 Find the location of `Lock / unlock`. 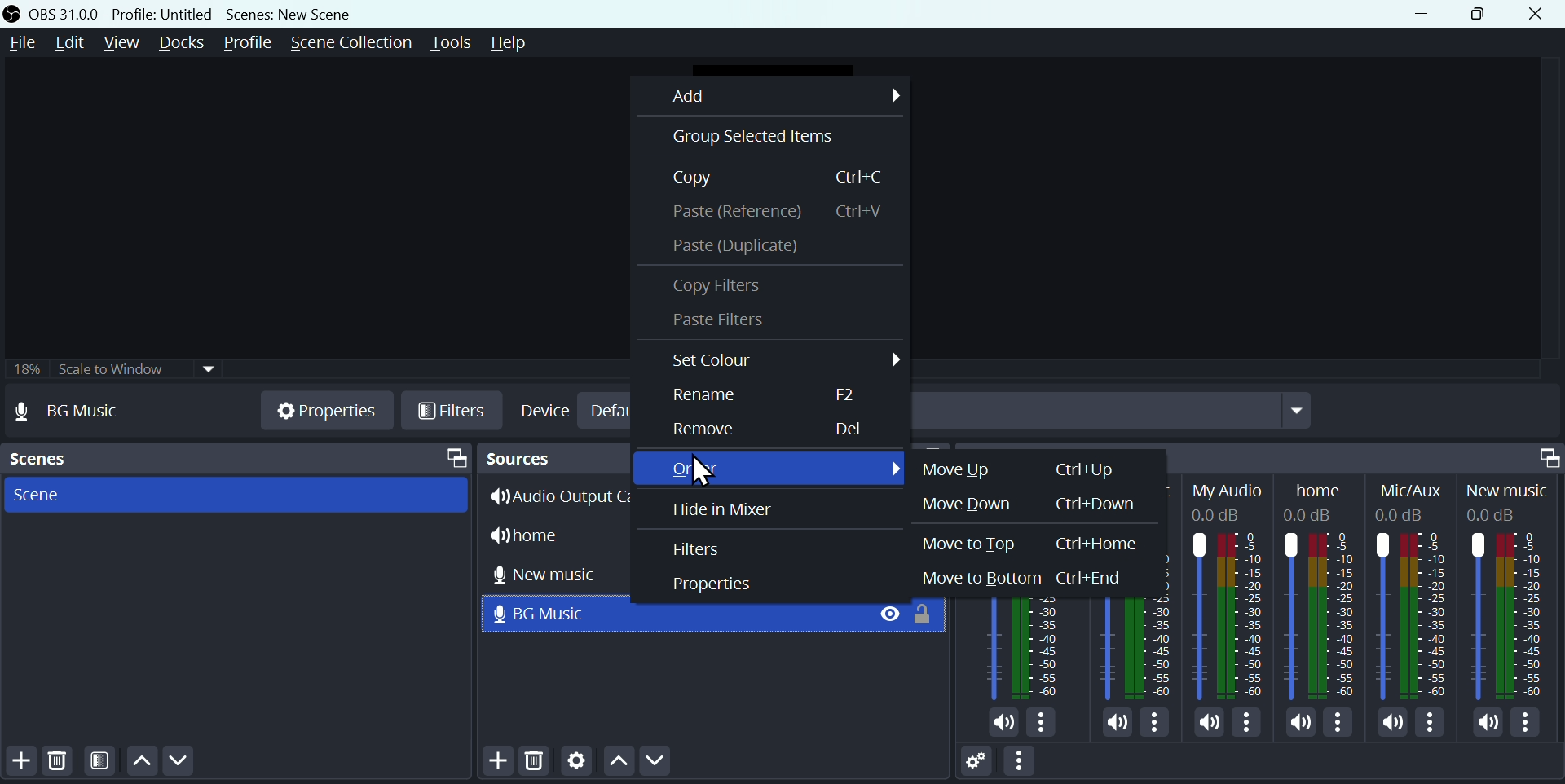

Lock / unlock is located at coordinates (928, 614).